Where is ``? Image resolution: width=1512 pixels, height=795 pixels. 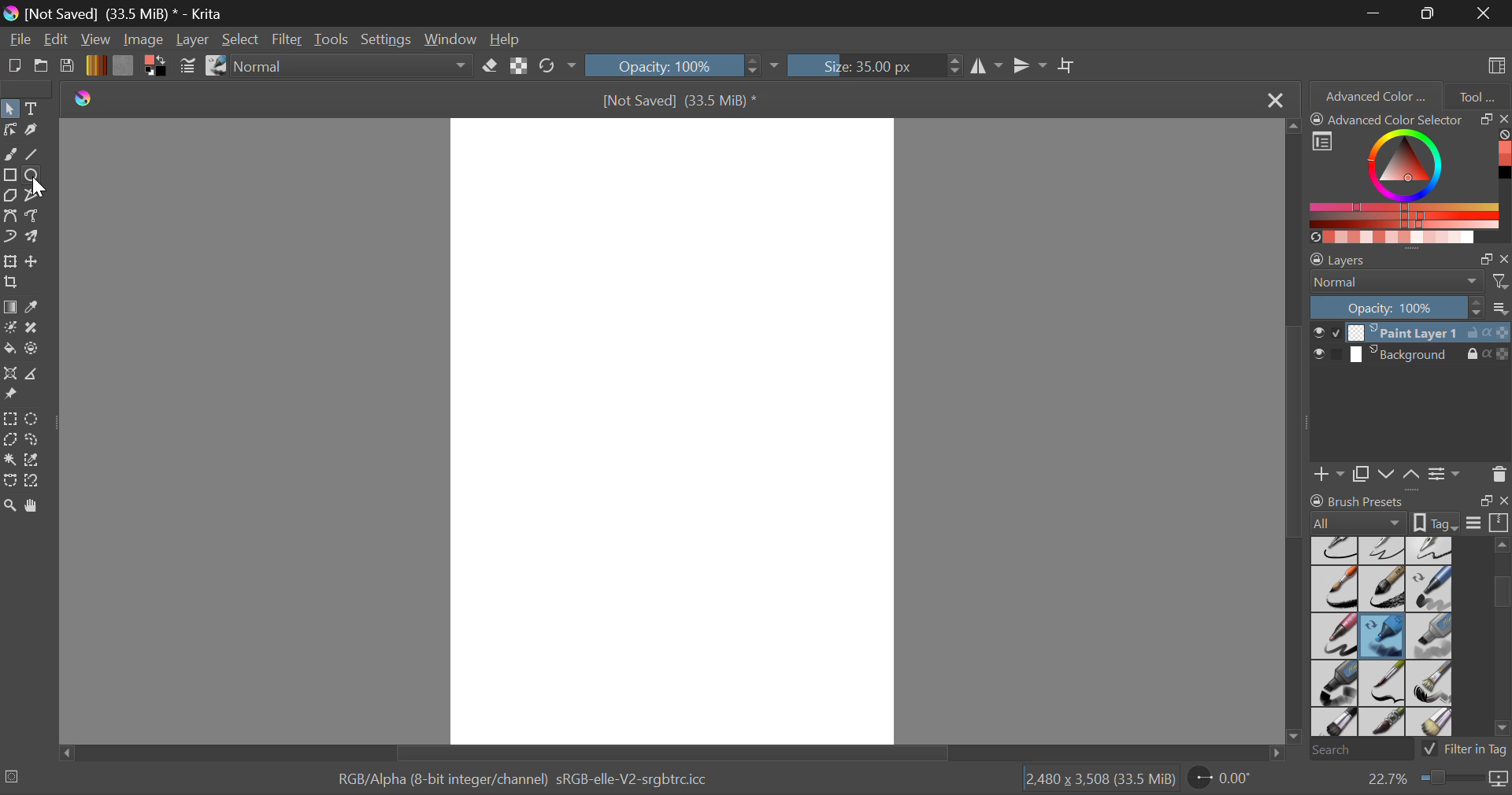
 is located at coordinates (57, 41).